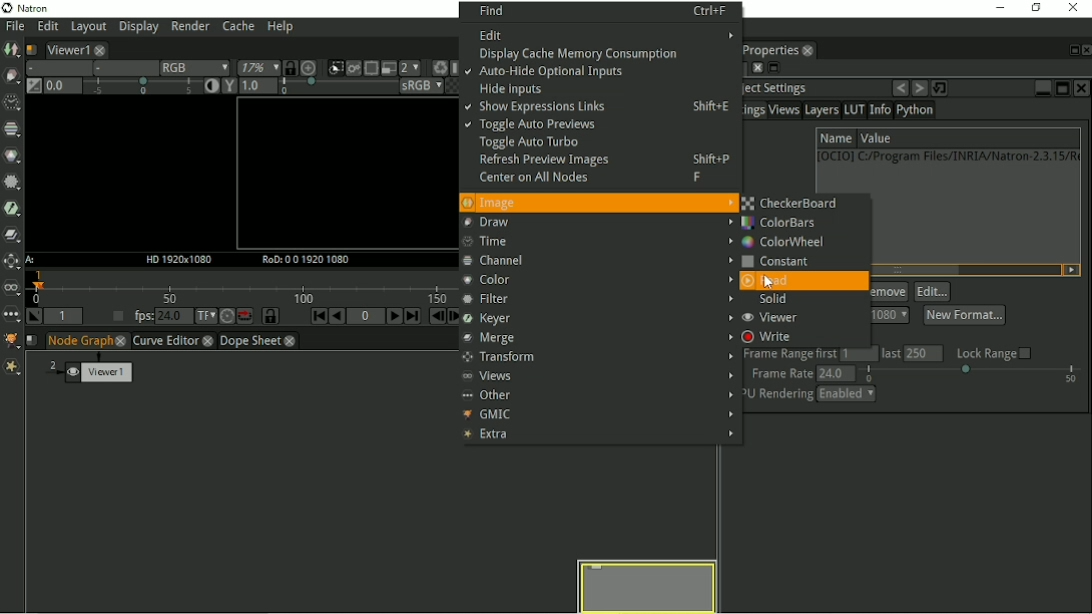  What do you see at coordinates (409, 67) in the screenshot?
I see `Scale down render` at bounding box center [409, 67].